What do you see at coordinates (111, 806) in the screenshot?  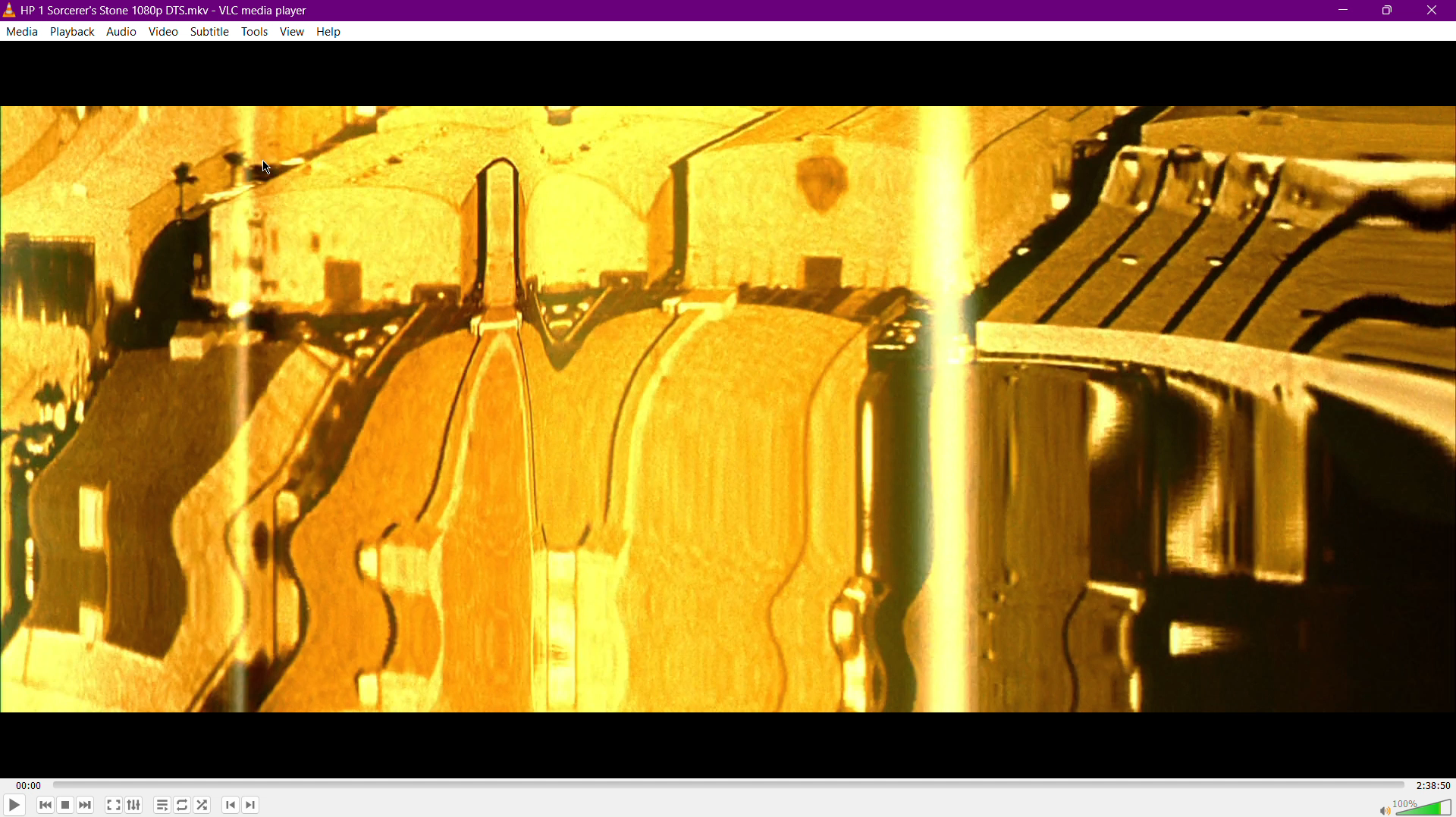 I see `Fullscreen` at bounding box center [111, 806].